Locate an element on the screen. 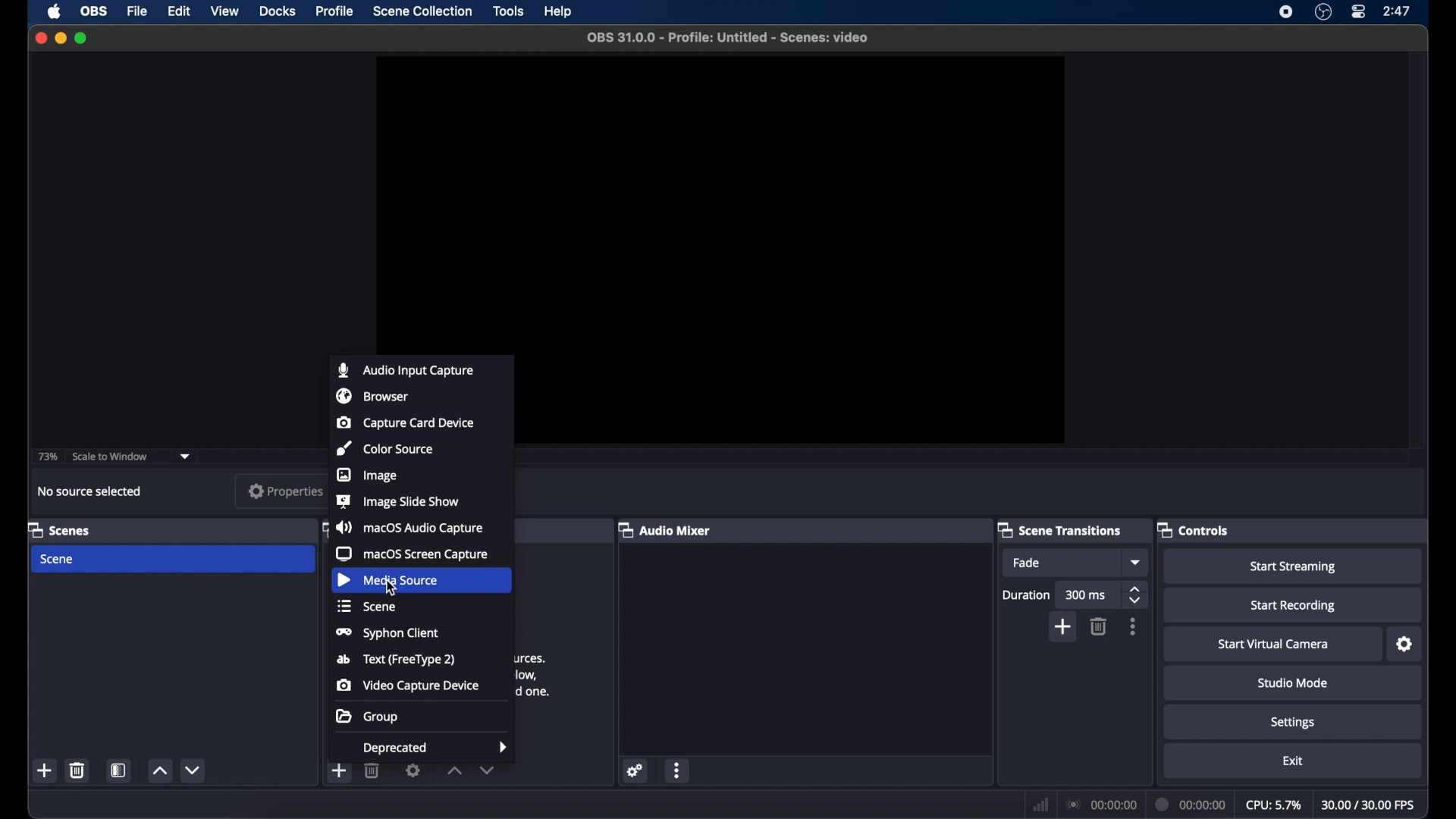  fade is located at coordinates (1027, 563).